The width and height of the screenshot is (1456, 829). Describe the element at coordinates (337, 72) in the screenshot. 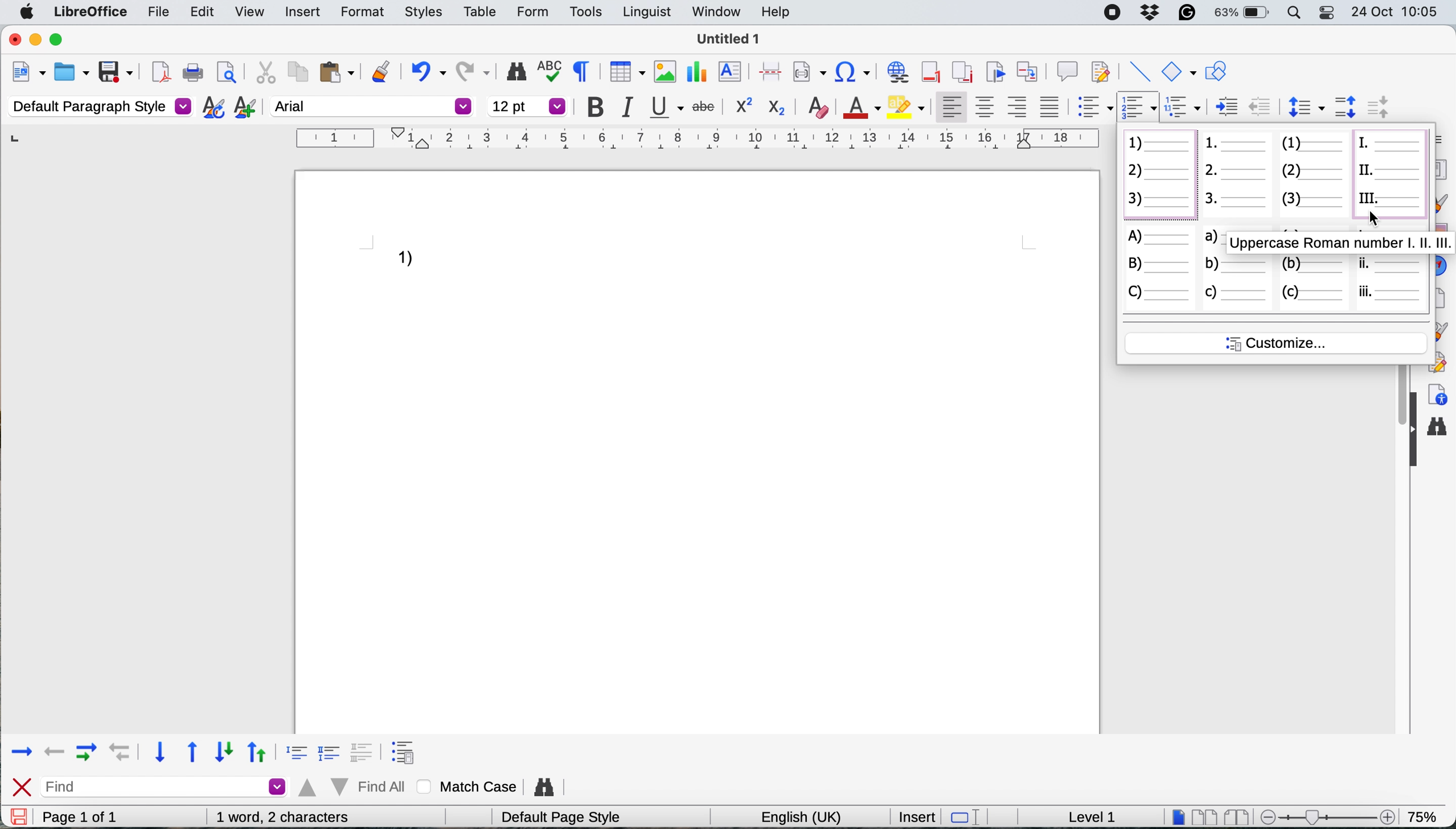

I see `paste` at that location.